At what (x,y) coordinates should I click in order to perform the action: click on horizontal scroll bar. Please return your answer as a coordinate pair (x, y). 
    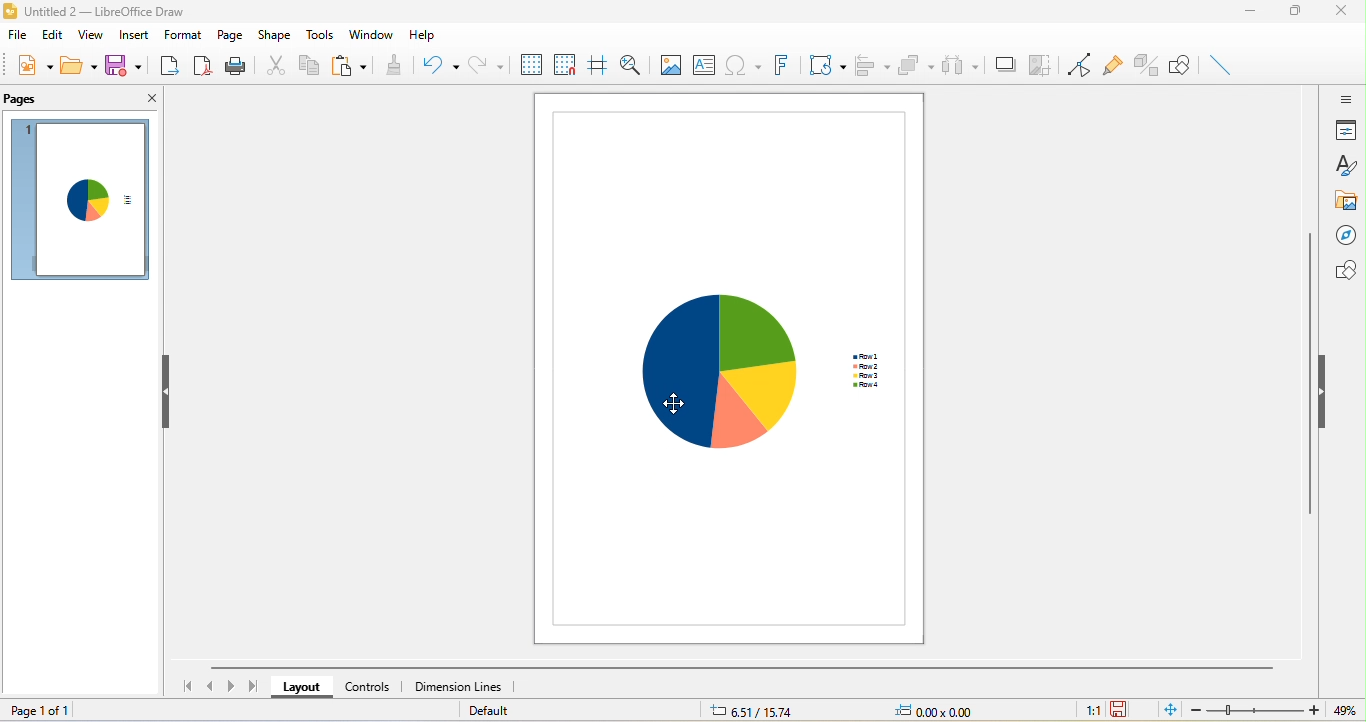
    Looking at the image, I should click on (739, 668).